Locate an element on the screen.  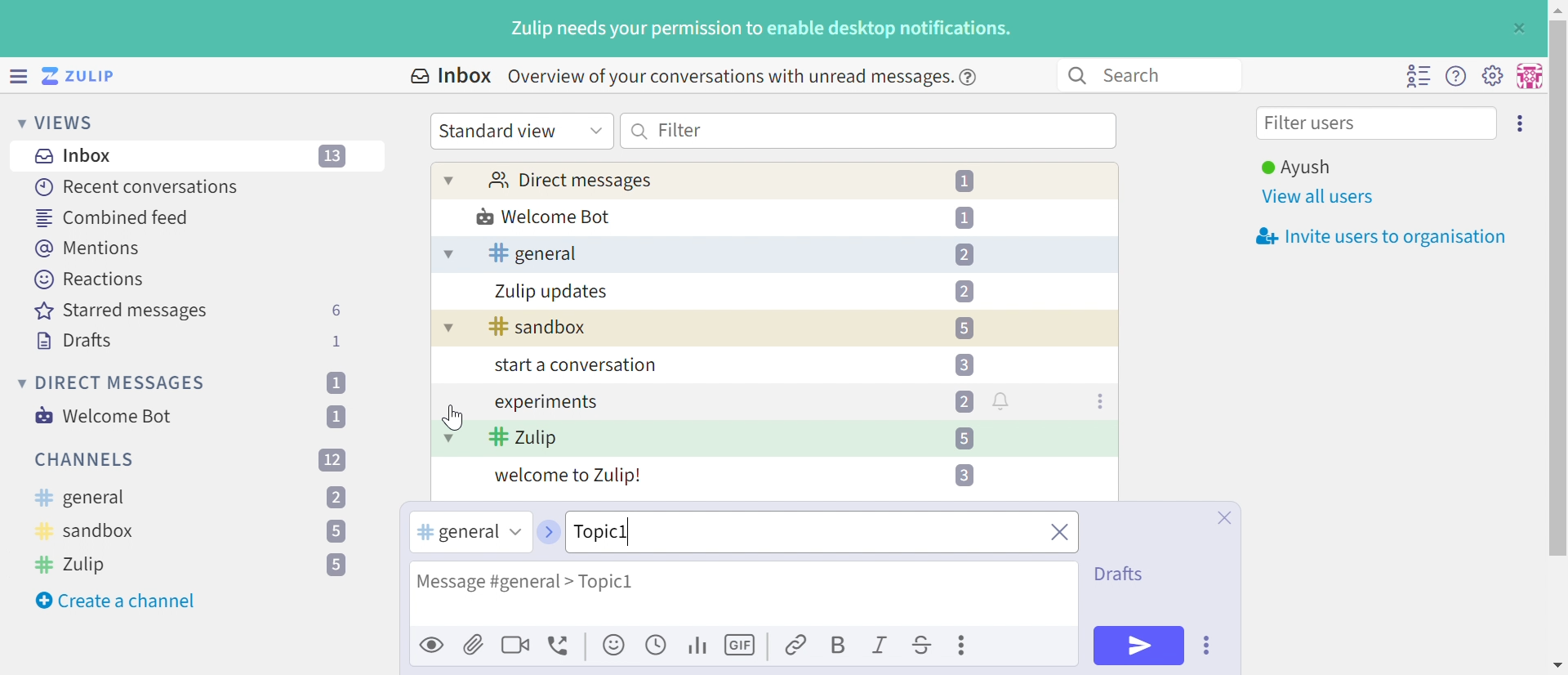
Search is located at coordinates (640, 131).